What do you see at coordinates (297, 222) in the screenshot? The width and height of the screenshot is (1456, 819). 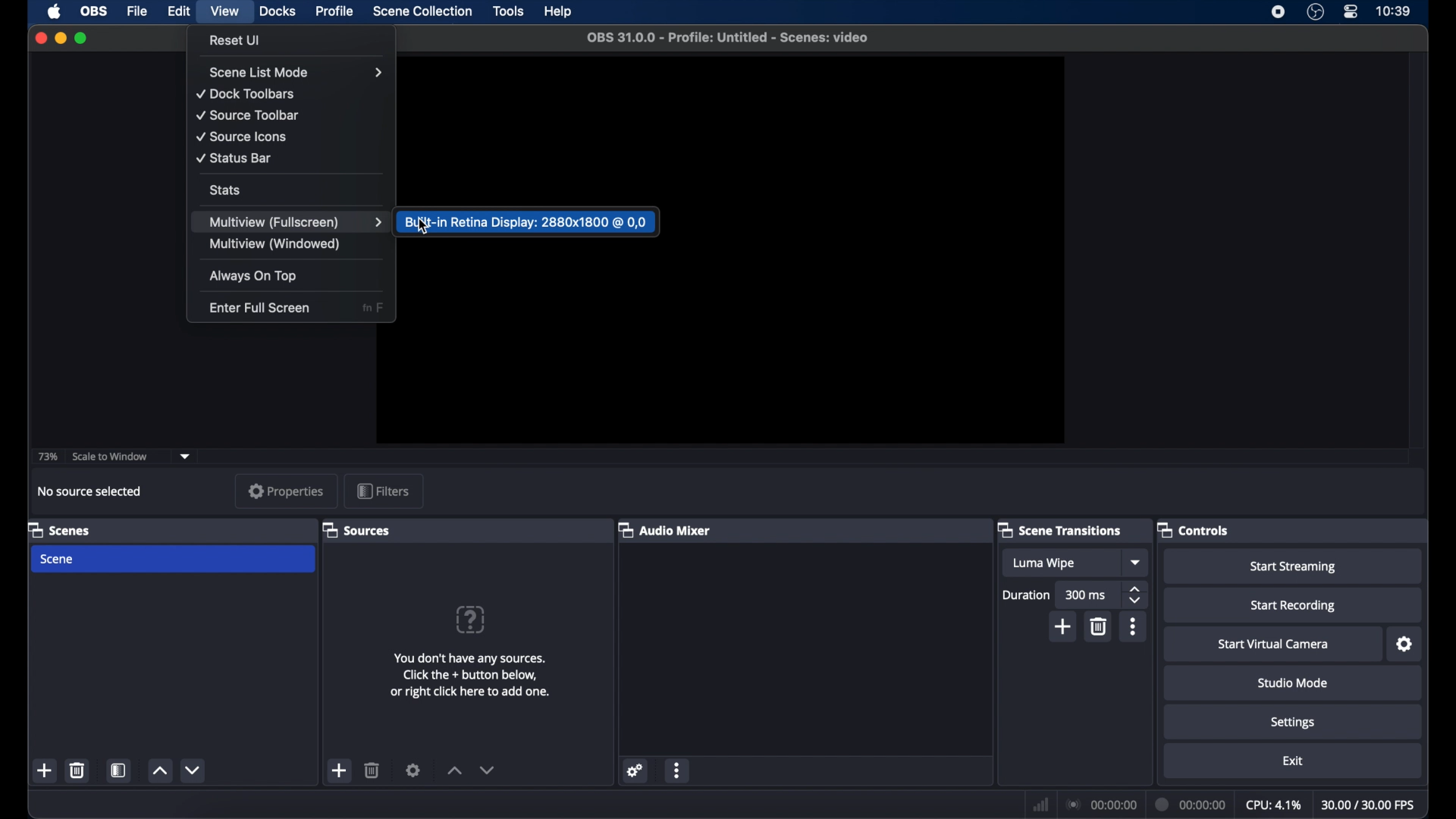 I see `multiview (fullscreen)` at bounding box center [297, 222].